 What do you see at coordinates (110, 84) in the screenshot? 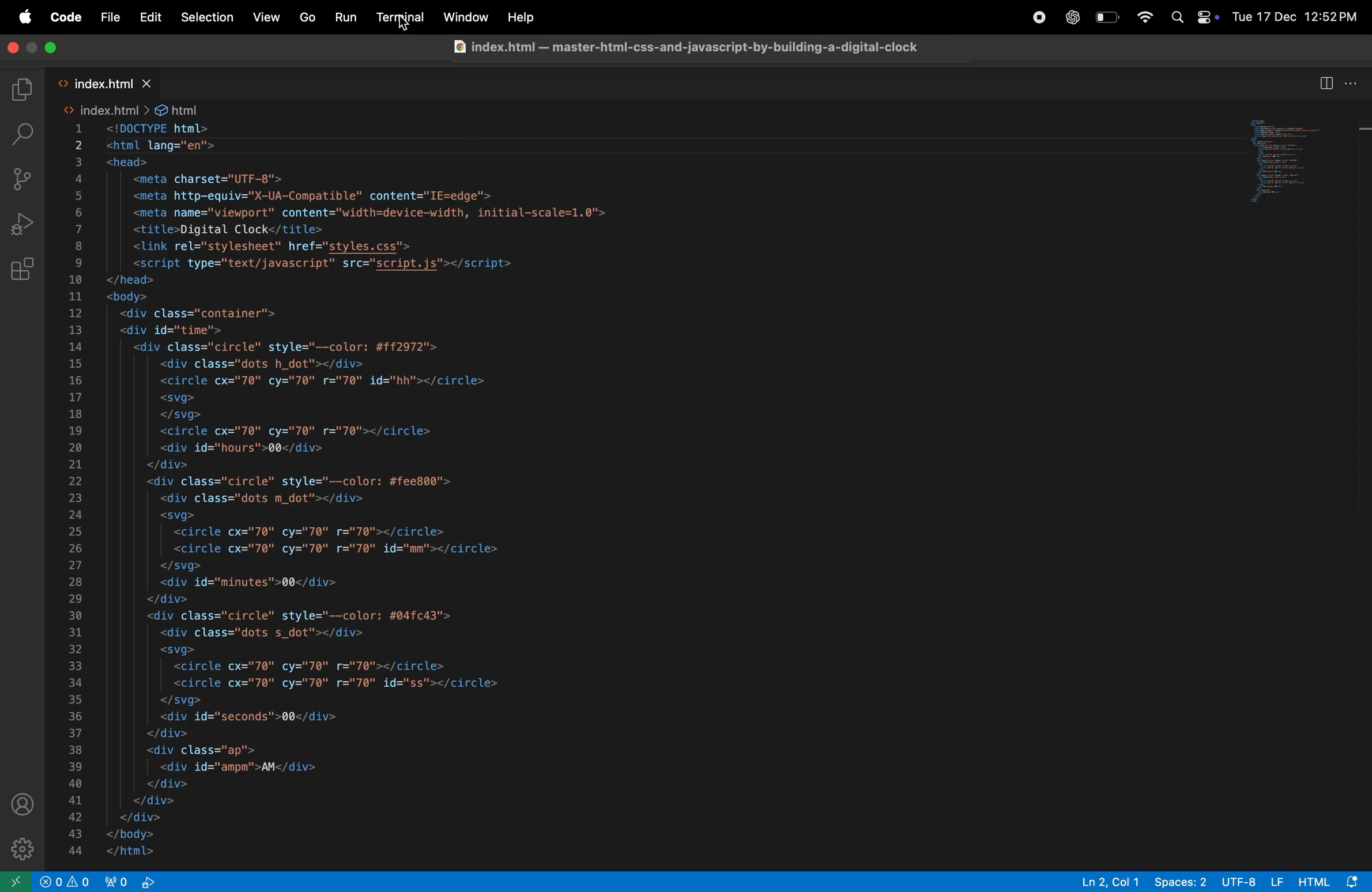
I see `index.html` at bounding box center [110, 84].